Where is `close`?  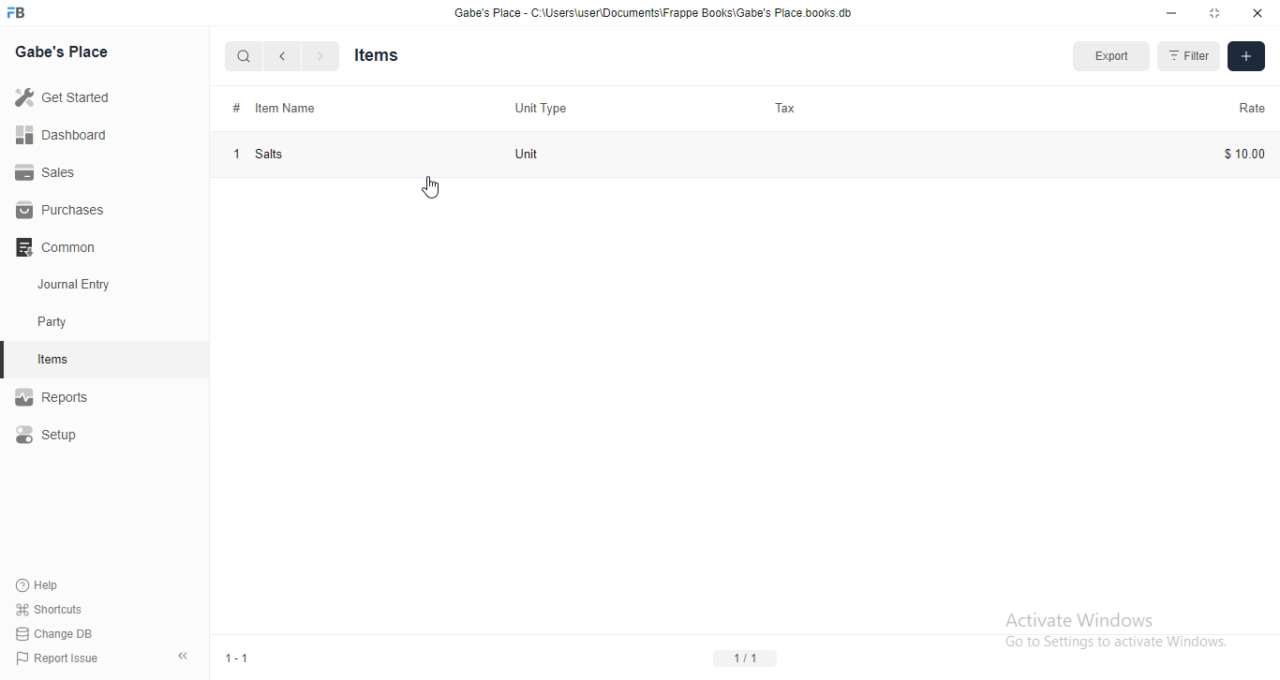 close is located at coordinates (1258, 13).